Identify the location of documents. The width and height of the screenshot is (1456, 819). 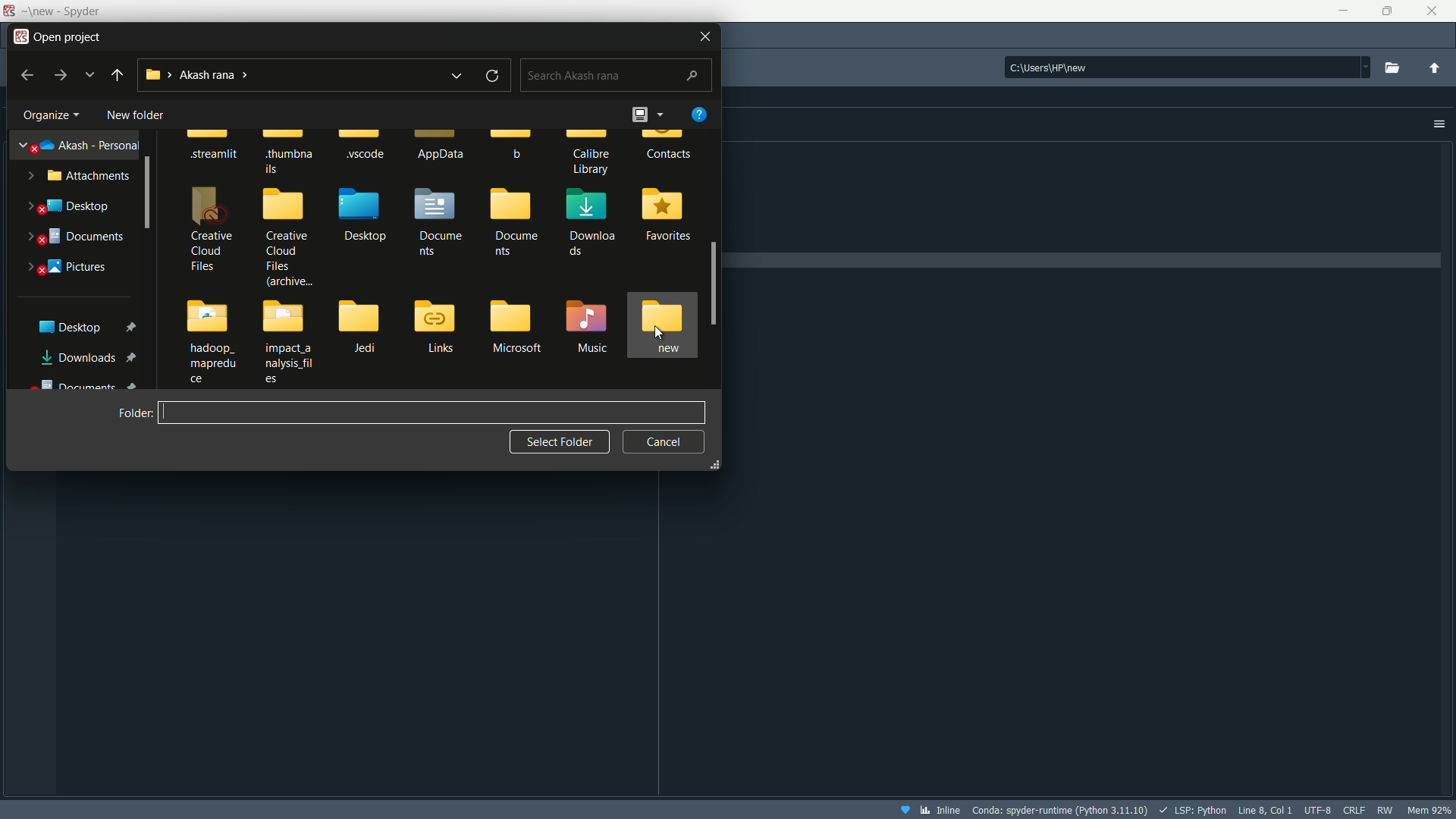
(77, 239).